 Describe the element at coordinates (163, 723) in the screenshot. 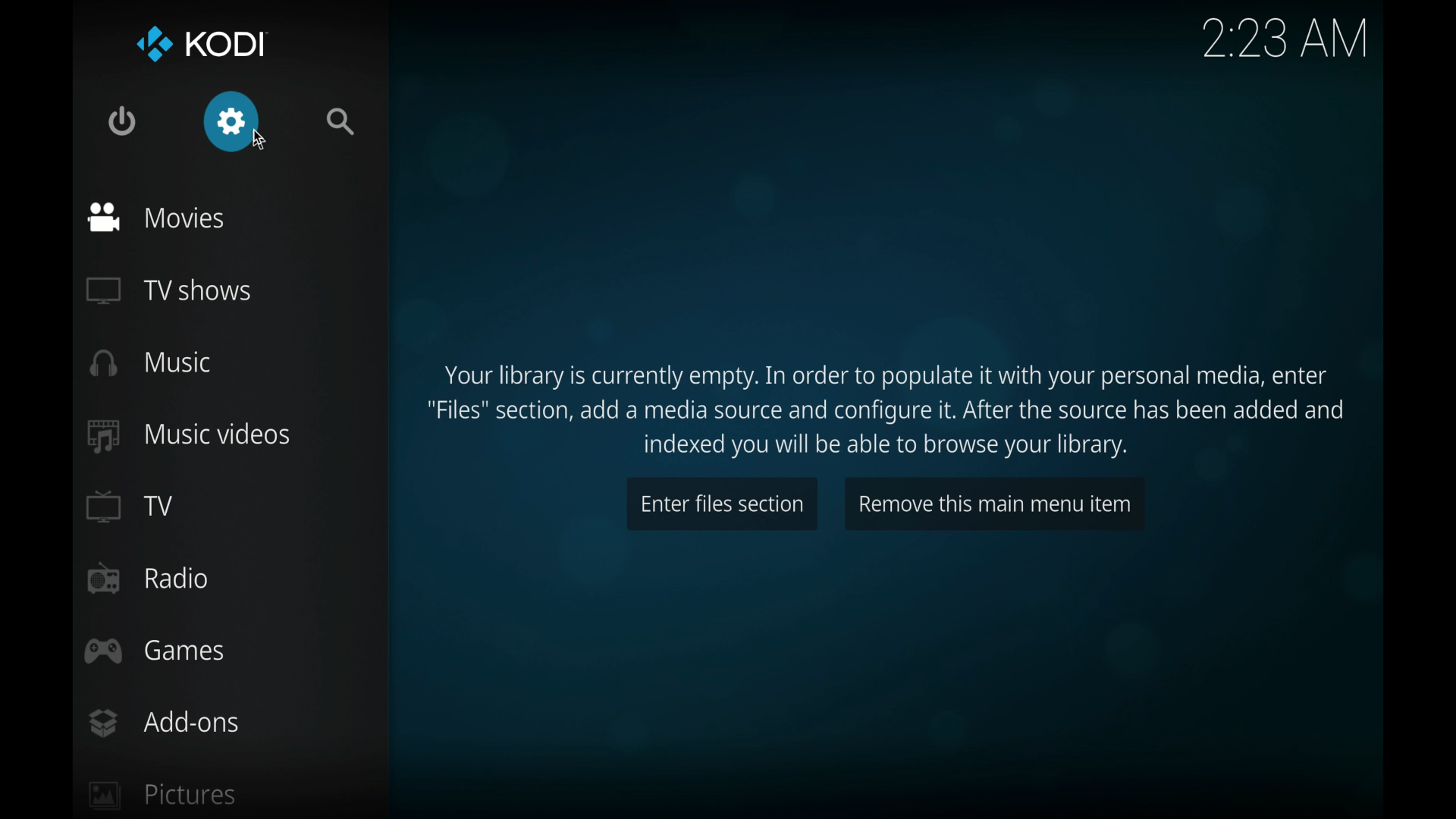

I see `add-ons` at that location.